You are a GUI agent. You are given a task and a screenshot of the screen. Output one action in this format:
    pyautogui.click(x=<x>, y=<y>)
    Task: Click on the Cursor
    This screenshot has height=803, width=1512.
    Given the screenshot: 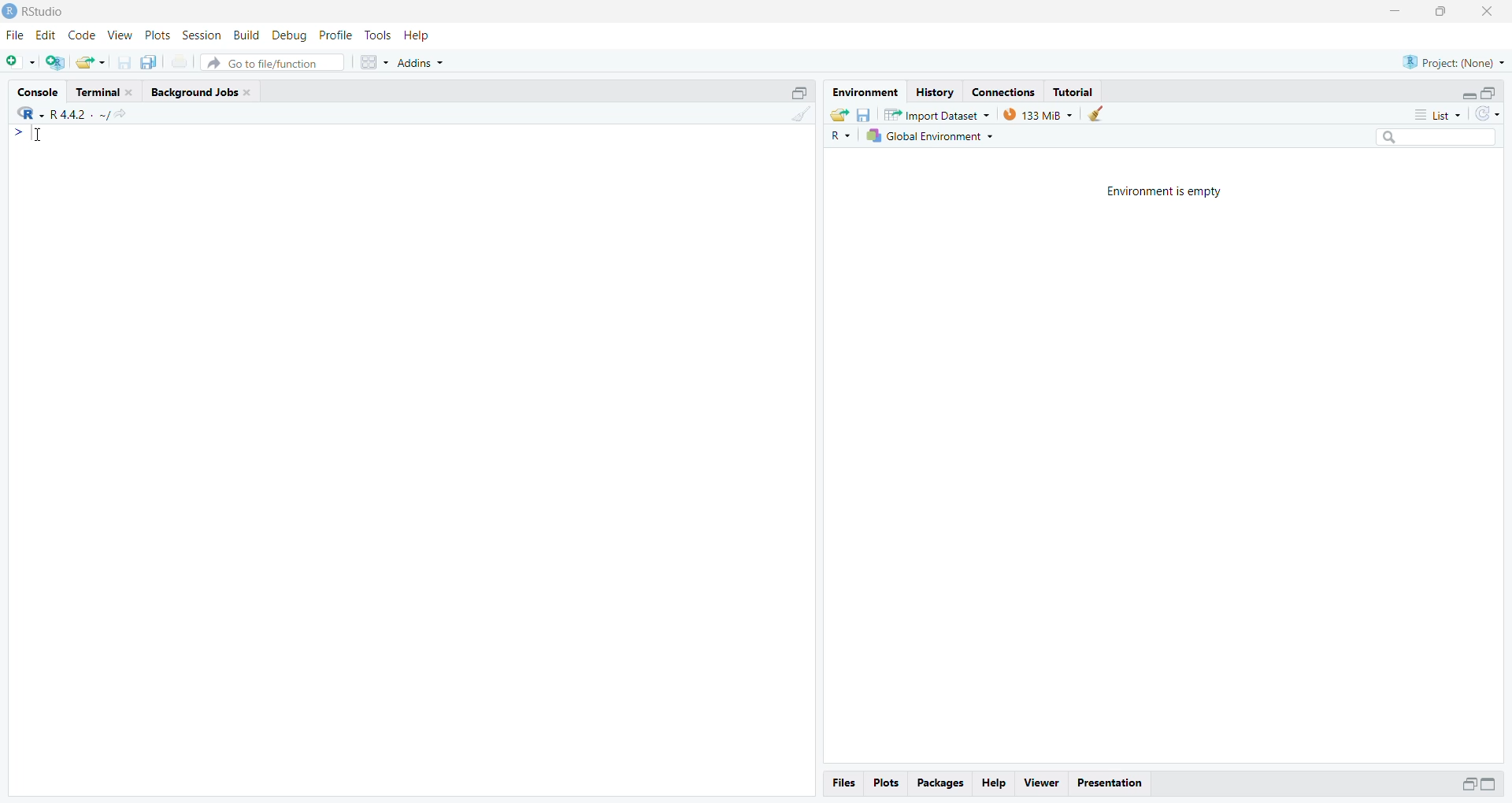 What is the action you would take?
    pyautogui.click(x=42, y=135)
    